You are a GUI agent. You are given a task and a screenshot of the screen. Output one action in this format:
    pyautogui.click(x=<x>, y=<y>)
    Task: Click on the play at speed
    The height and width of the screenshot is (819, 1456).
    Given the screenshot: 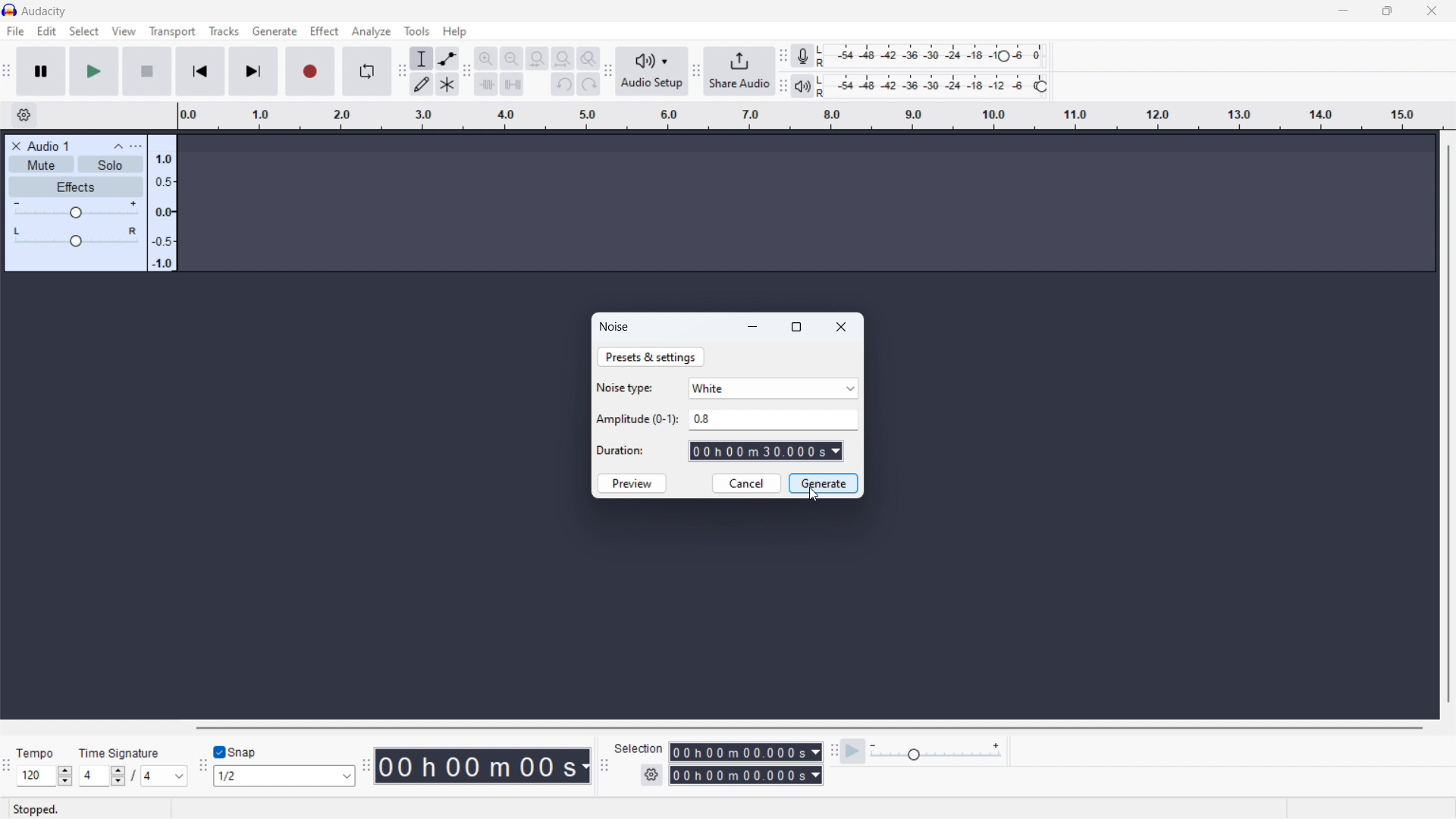 What is the action you would take?
    pyautogui.click(x=852, y=751)
    